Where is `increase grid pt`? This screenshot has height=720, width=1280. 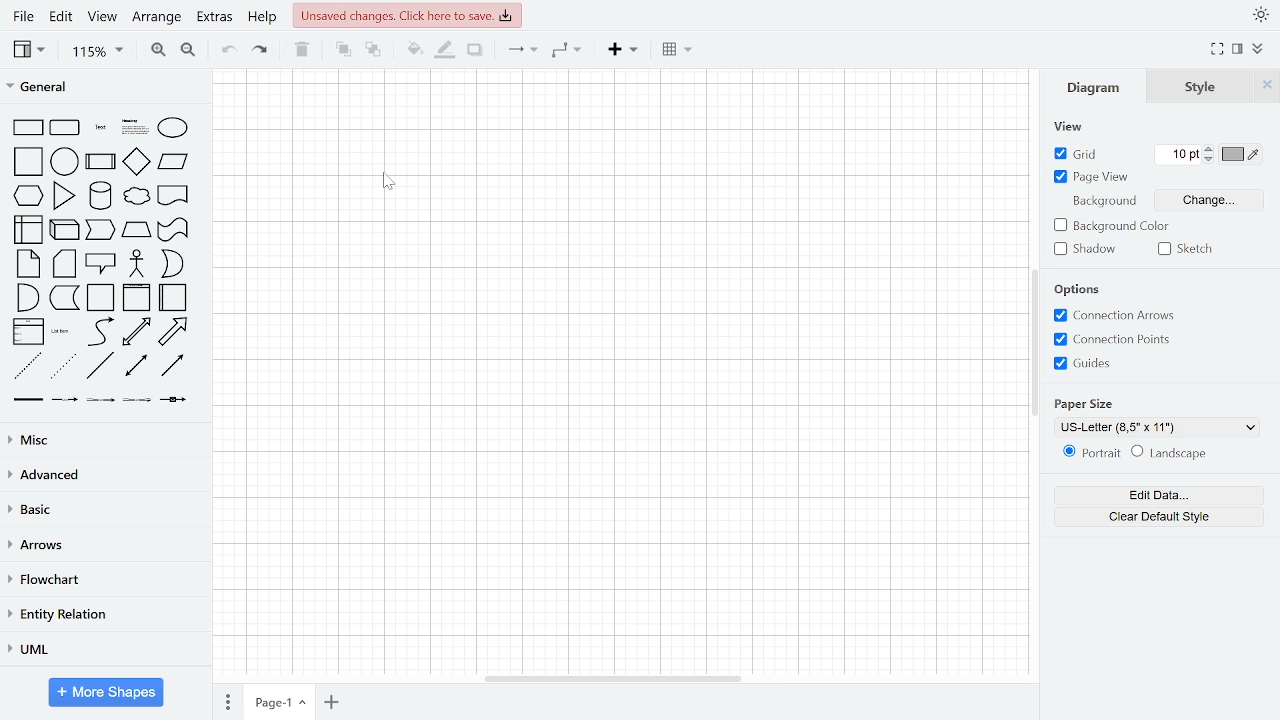
increase grid pt is located at coordinates (1211, 149).